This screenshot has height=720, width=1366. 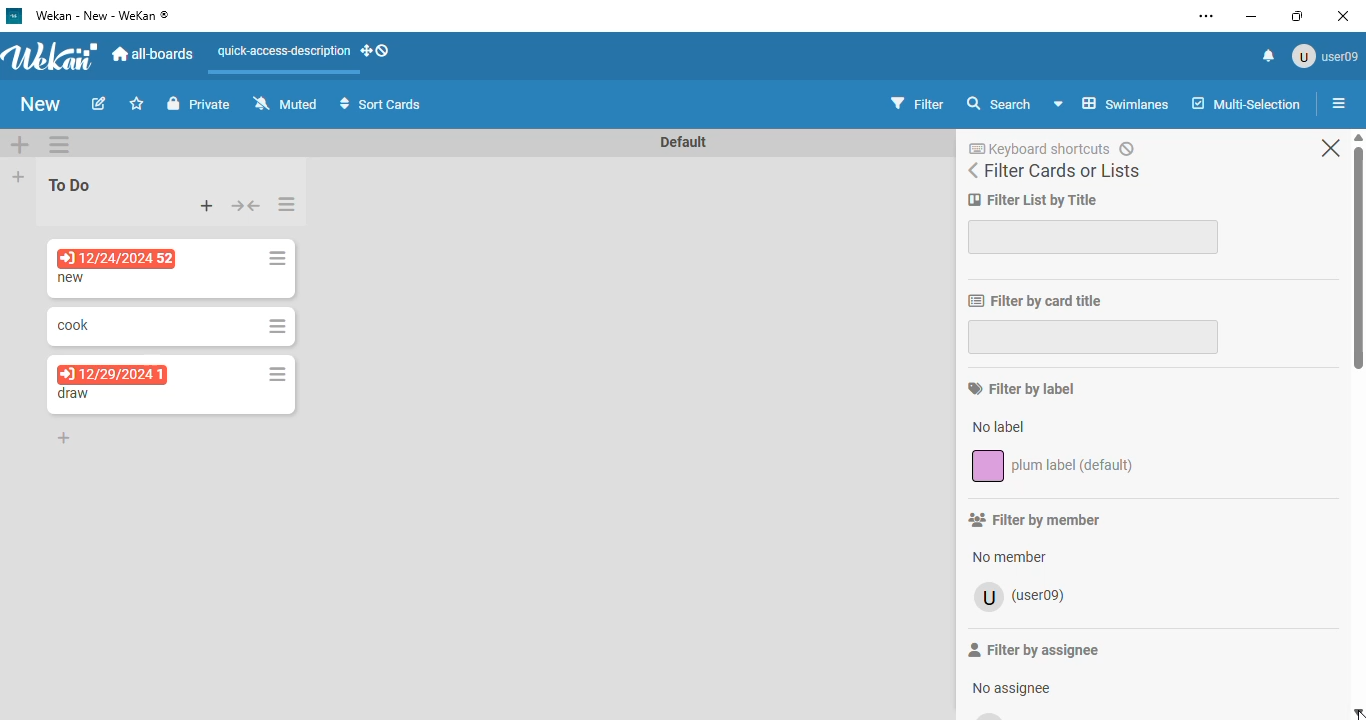 What do you see at coordinates (1000, 426) in the screenshot?
I see `no label` at bounding box center [1000, 426].